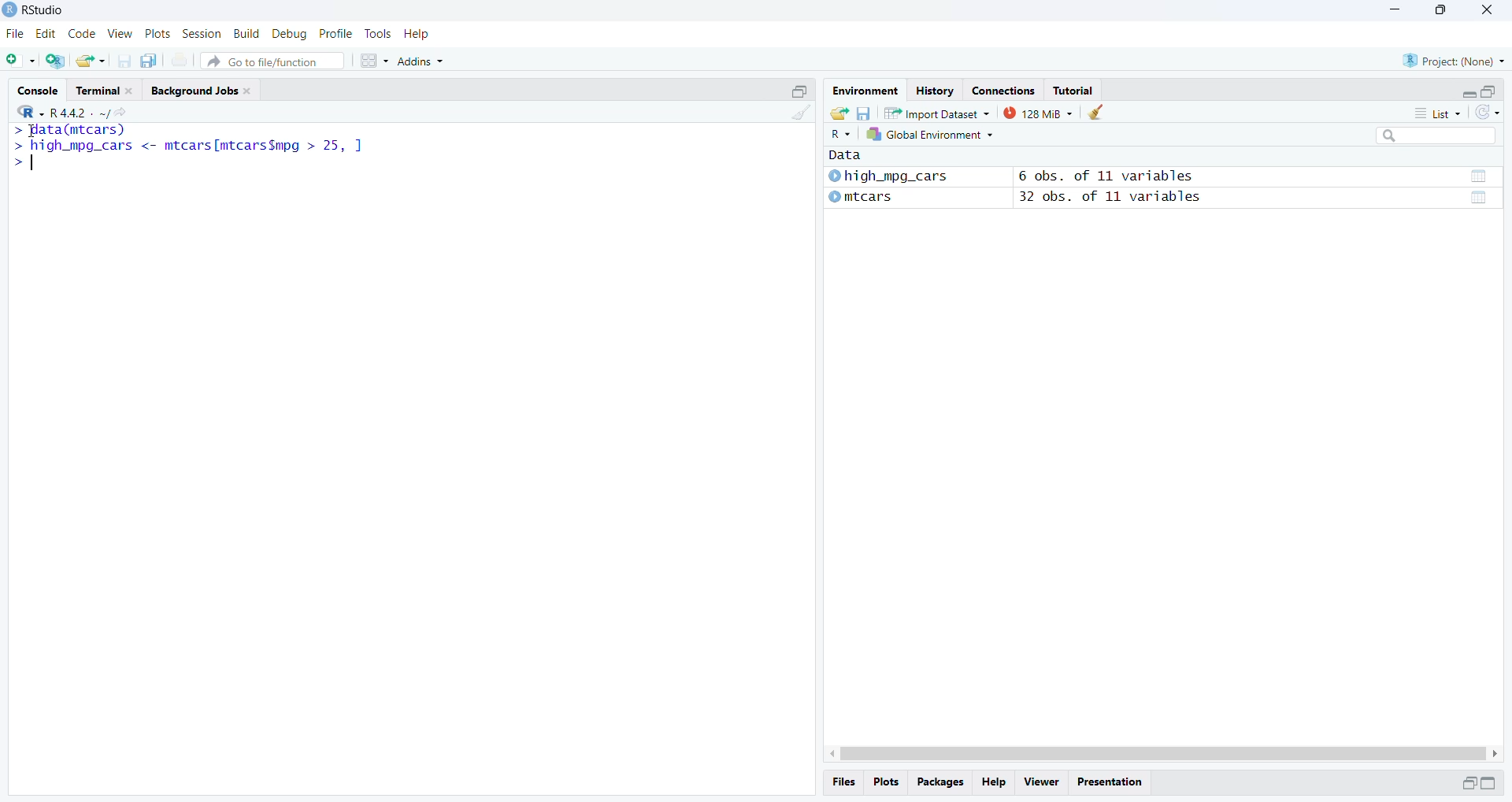 This screenshot has height=802, width=1512. I want to click on Session, so click(202, 33).